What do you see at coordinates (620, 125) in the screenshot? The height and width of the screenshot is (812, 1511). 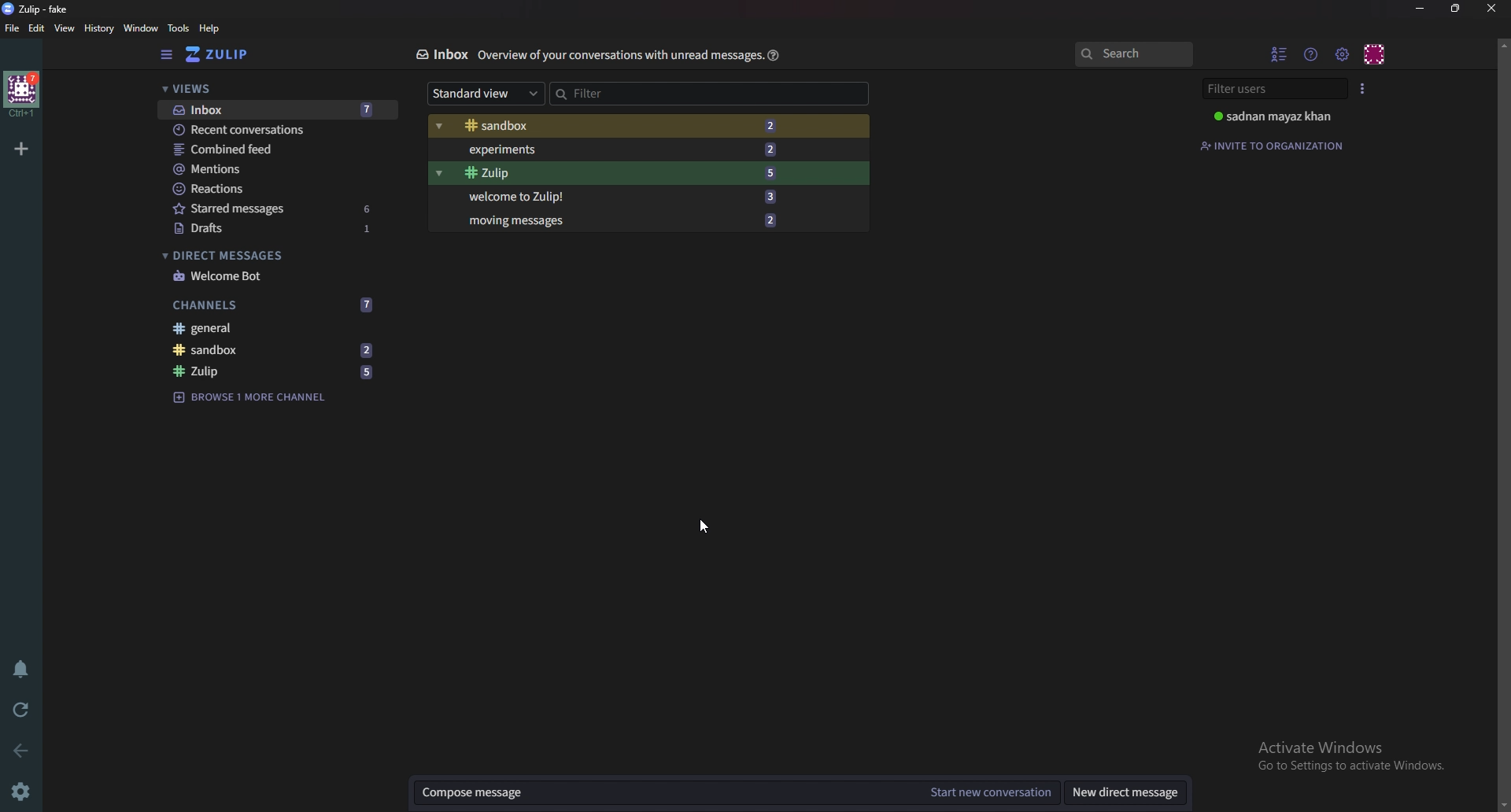 I see `Sandbox` at bounding box center [620, 125].